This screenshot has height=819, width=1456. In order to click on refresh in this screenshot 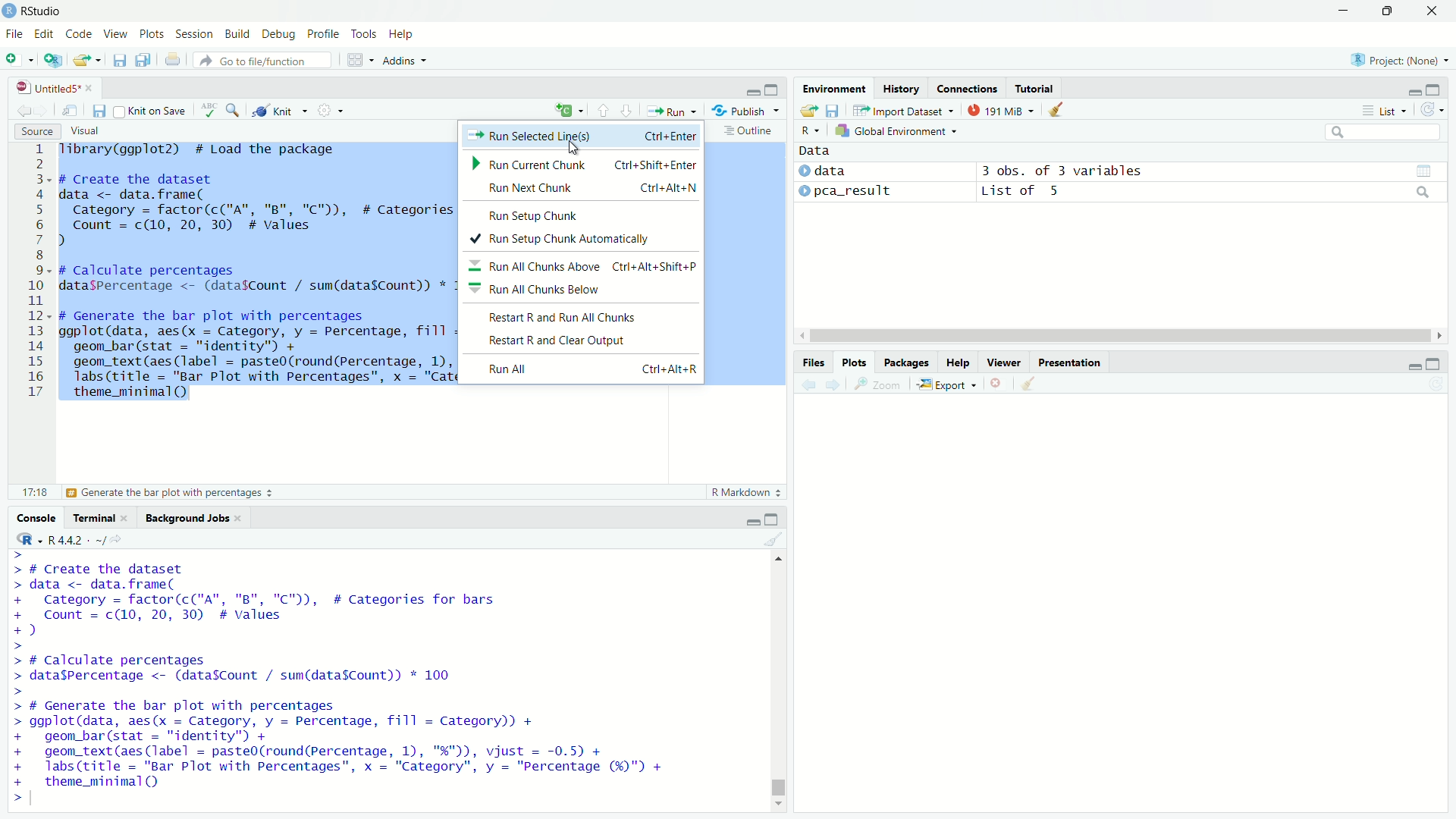, I will do `click(1430, 108)`.